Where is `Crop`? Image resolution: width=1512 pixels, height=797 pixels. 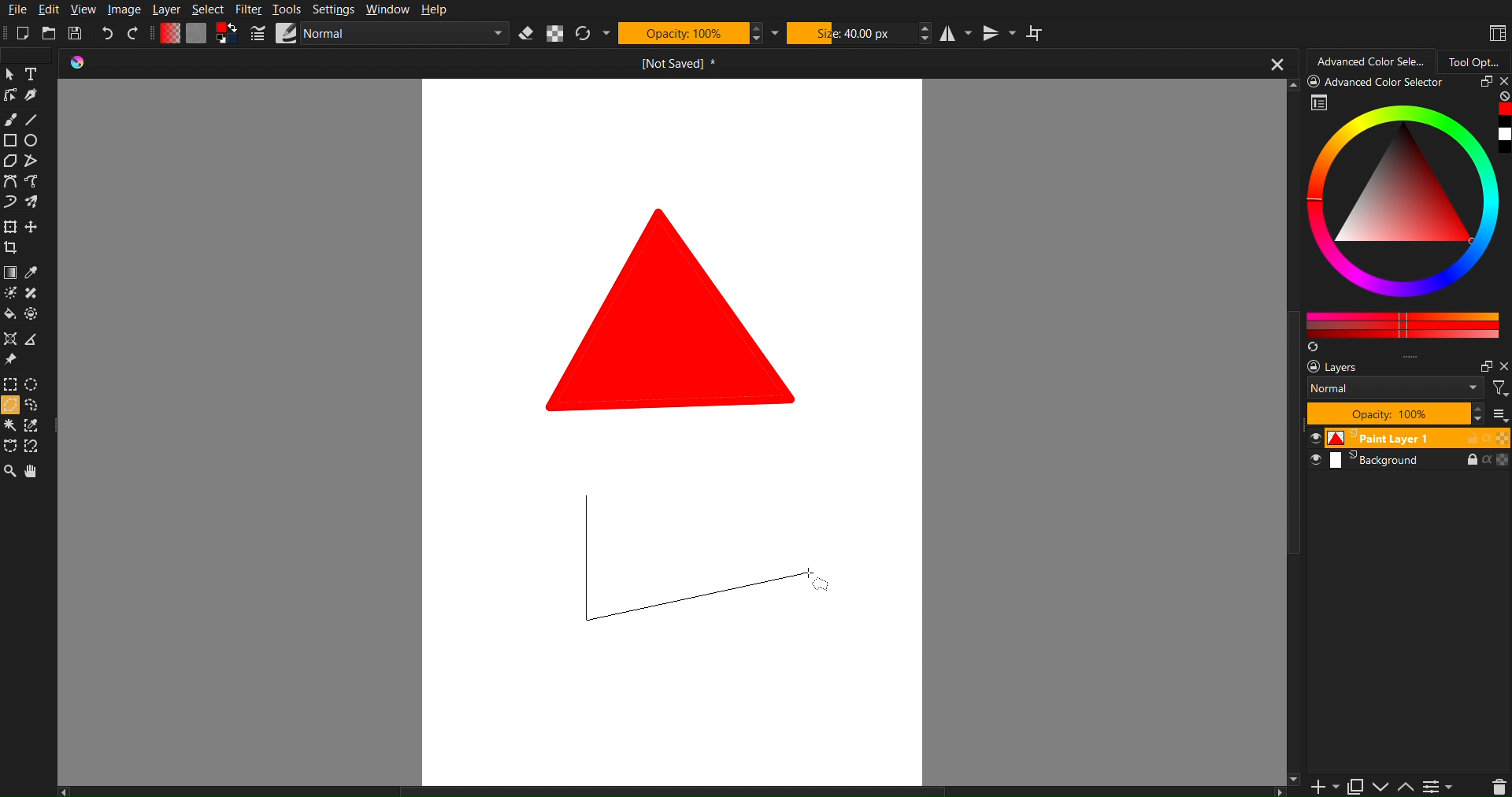 Crop is located at coordinates (13, 250).